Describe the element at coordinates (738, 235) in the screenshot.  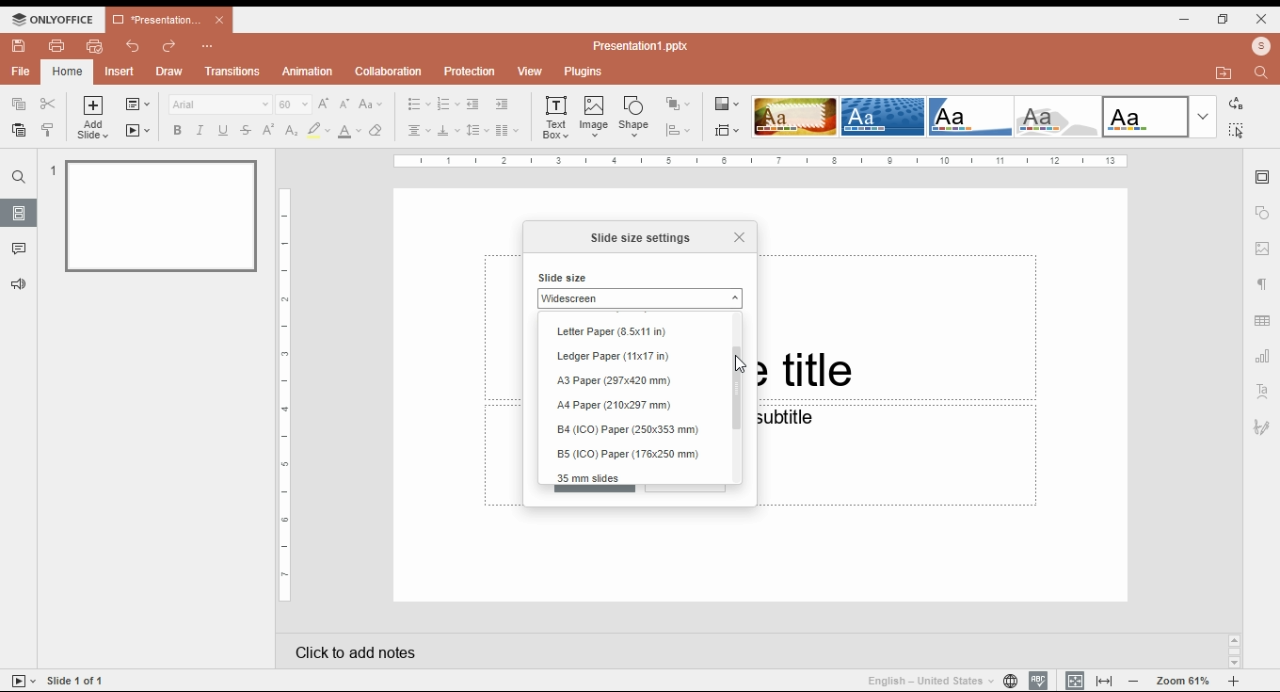
I see `Close` at that location.